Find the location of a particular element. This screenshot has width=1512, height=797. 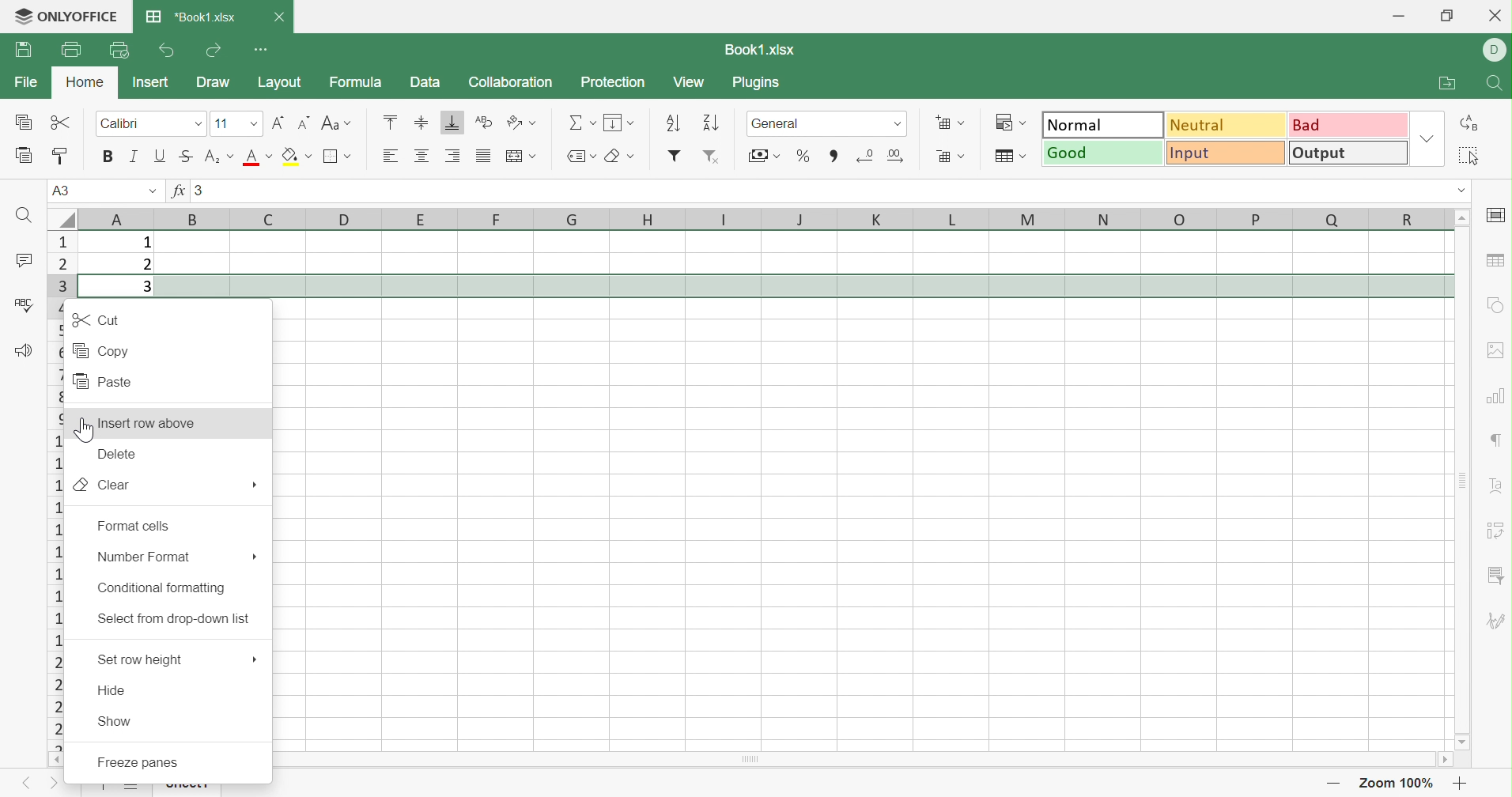

File is located at coordinates (24, 83).